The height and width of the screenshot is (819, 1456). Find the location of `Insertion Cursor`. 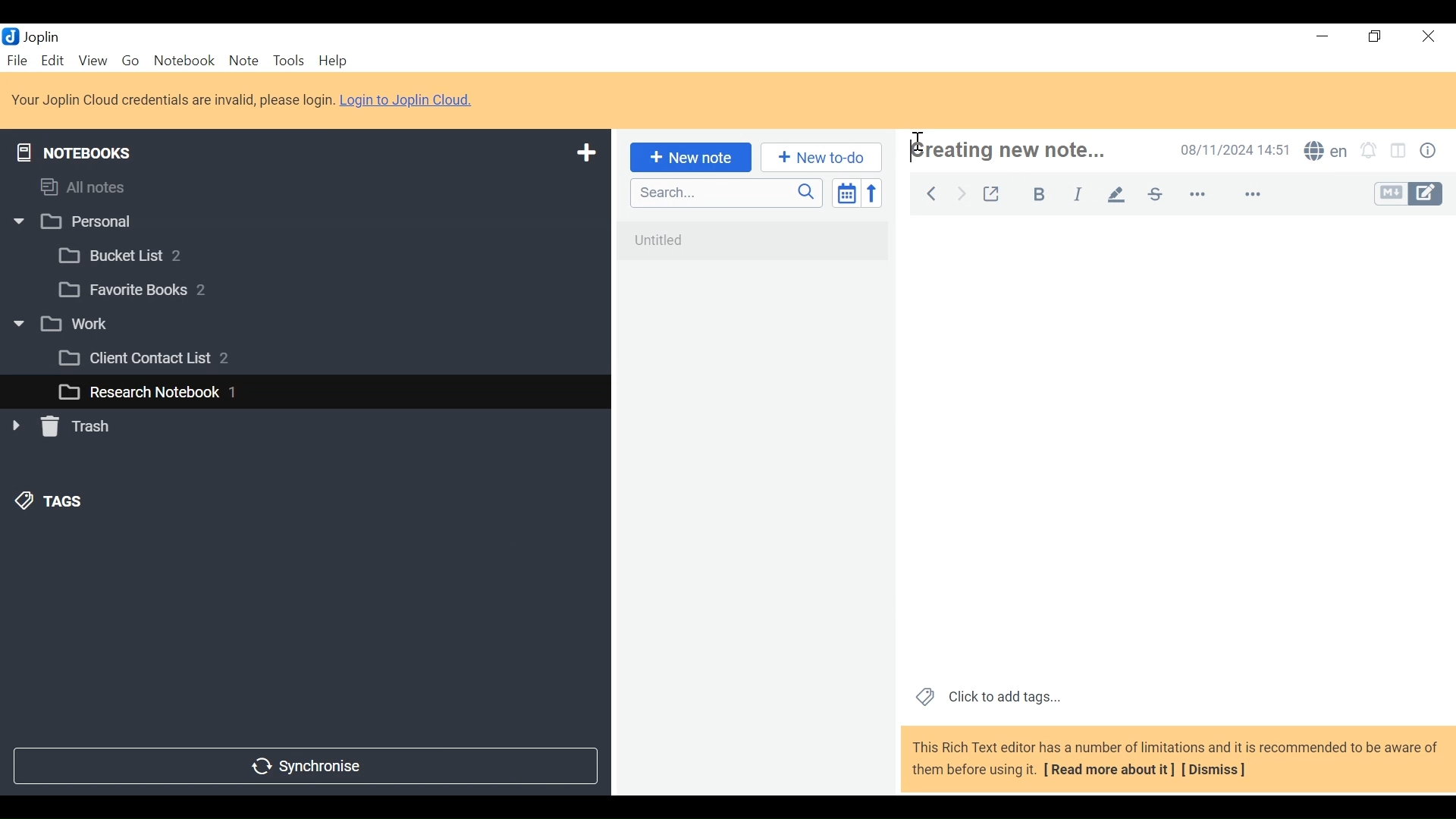

Insertion Cursor is located at coordinates (917, 135).